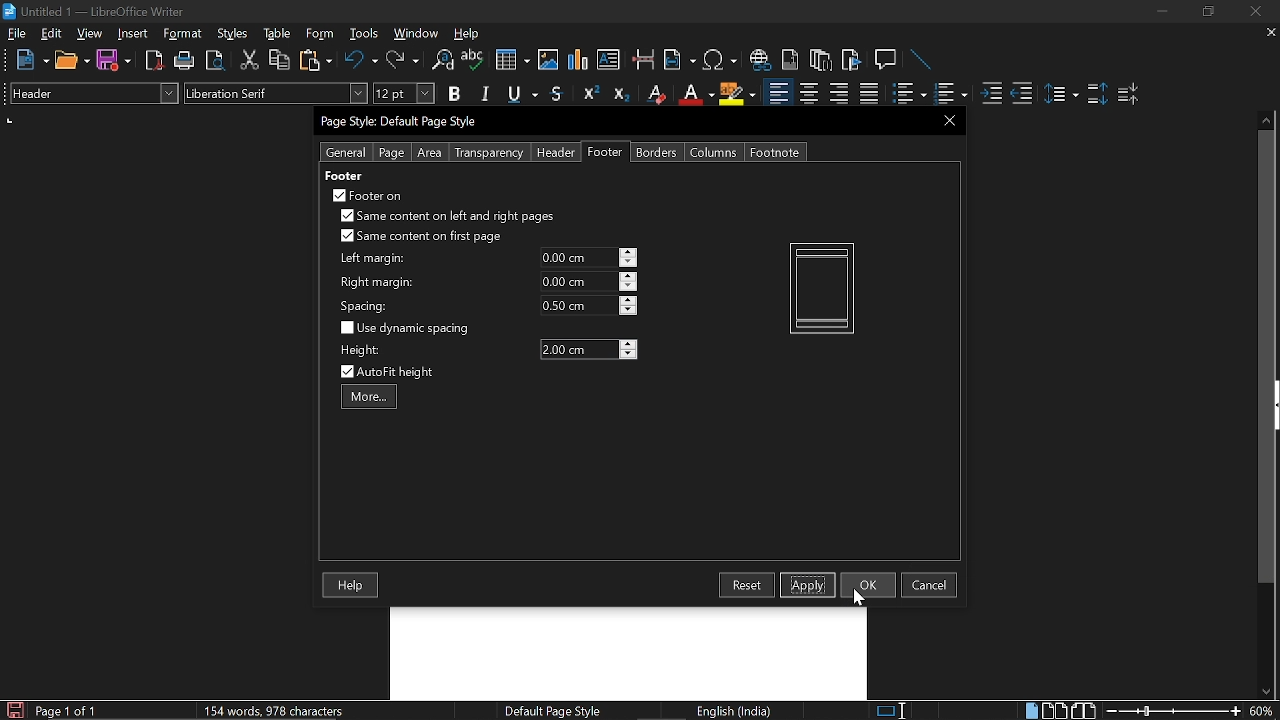  I want to click on Copy, so click(278, 60).